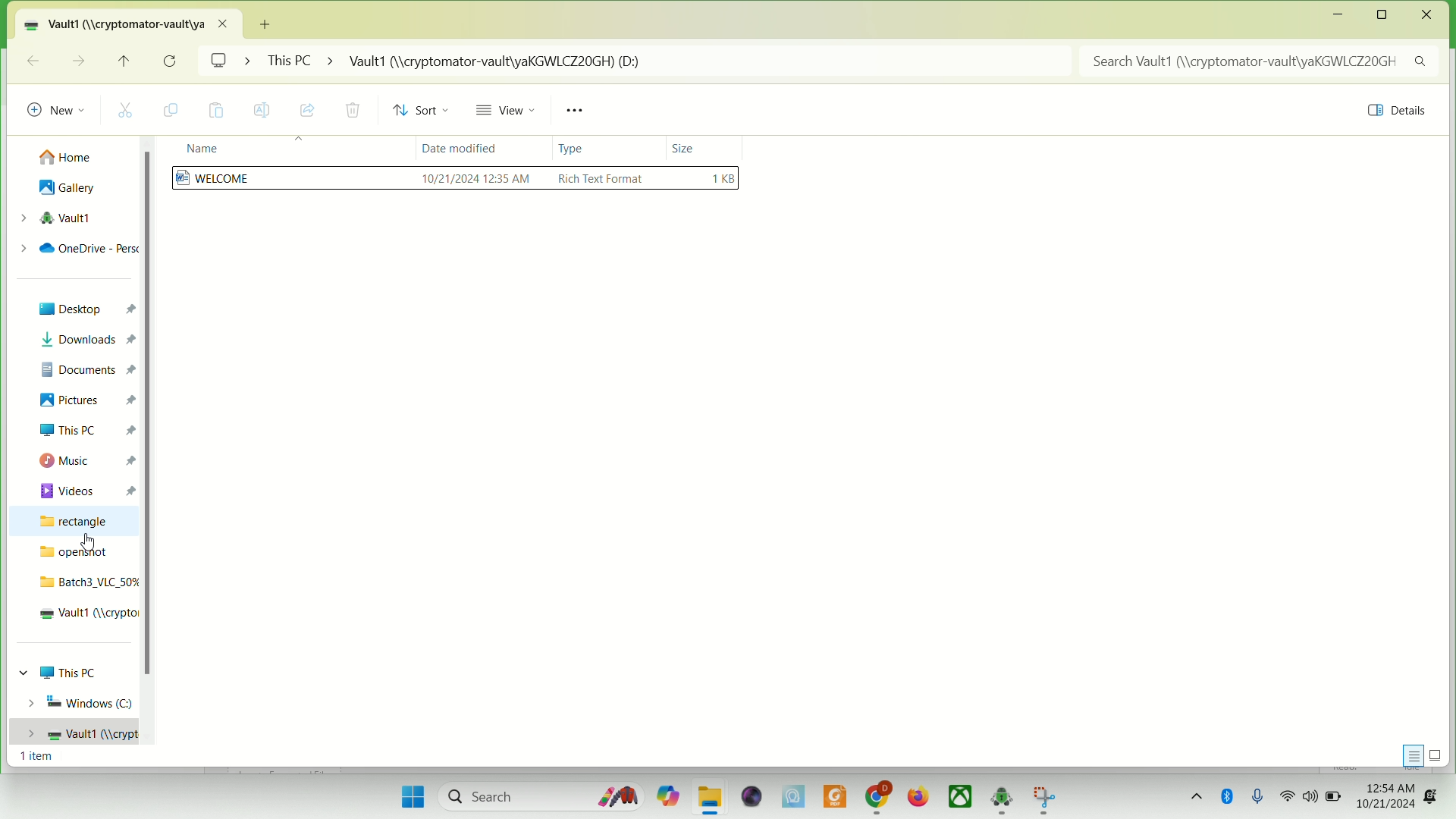 This screenshot has height=819, width=1456. What do you see at coordinates (308, 108) in the screenshot?
I see `share` at bounding box center [308, 108].